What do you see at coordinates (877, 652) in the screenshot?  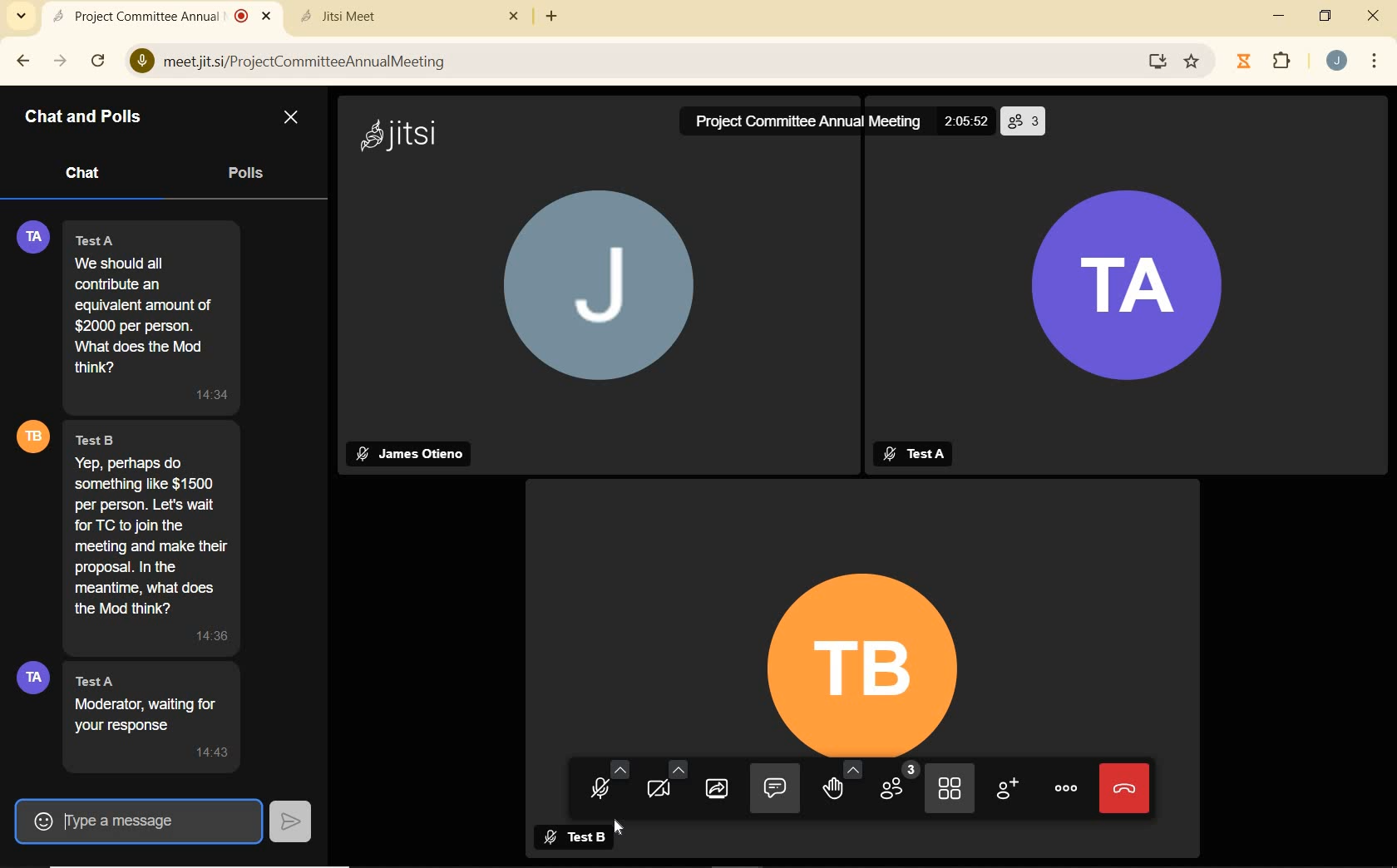 I see `TB` at bounding box center [877, 652].